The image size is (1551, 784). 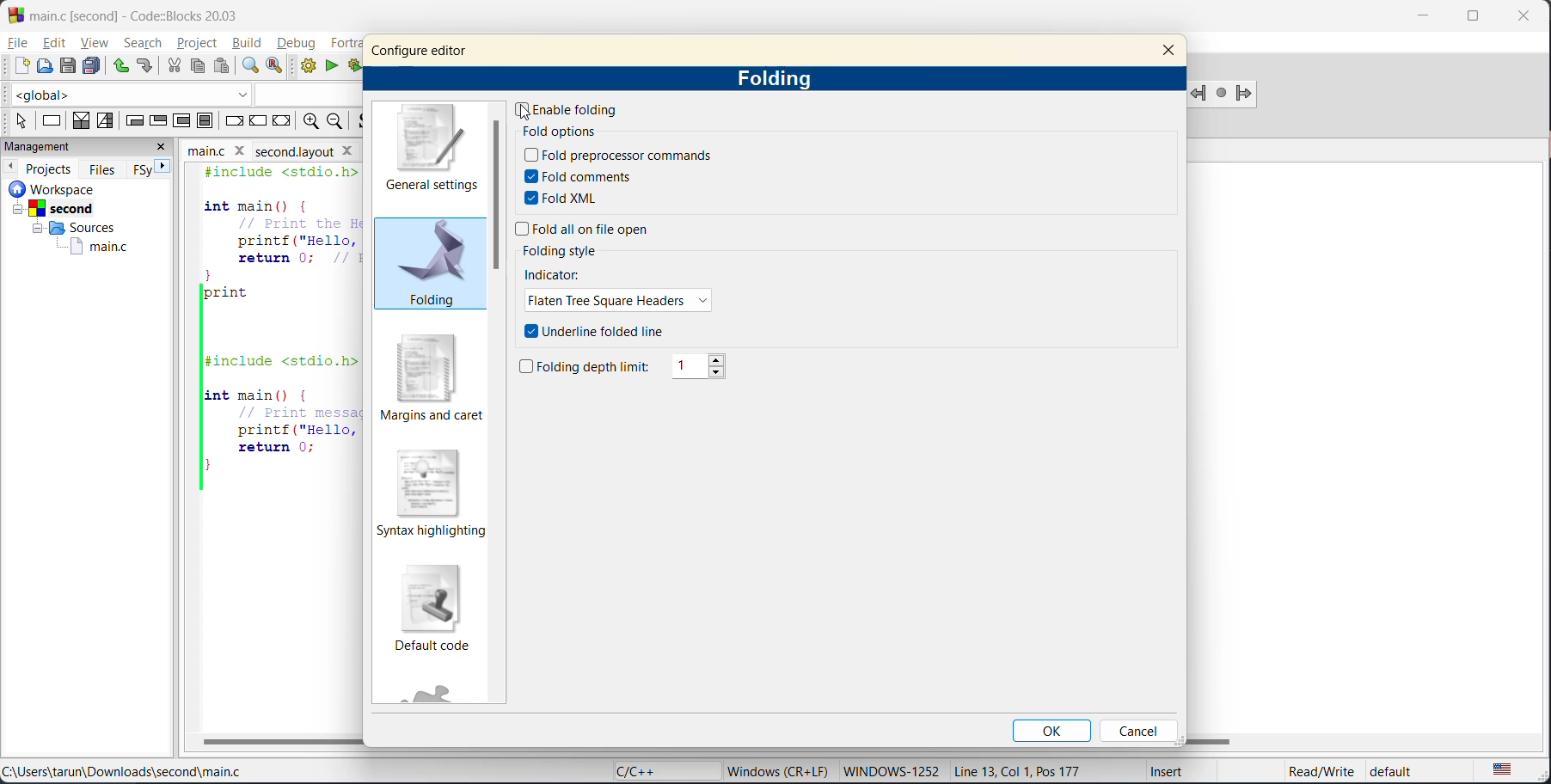 I want to click on workspace, so click(x=76, y=188).